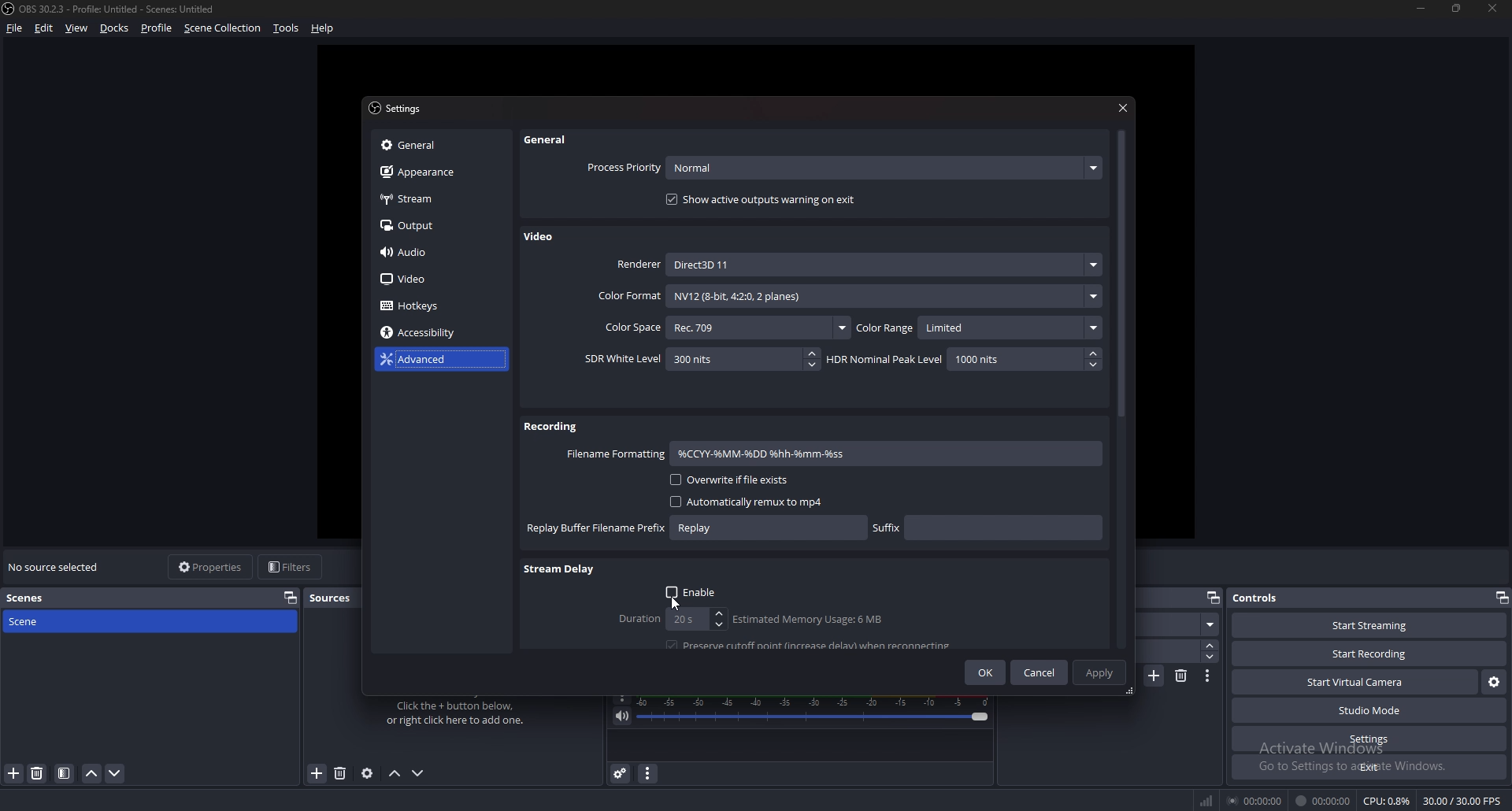 The image size is (1512, 811). I want to click on Audio, so click(433, 253).